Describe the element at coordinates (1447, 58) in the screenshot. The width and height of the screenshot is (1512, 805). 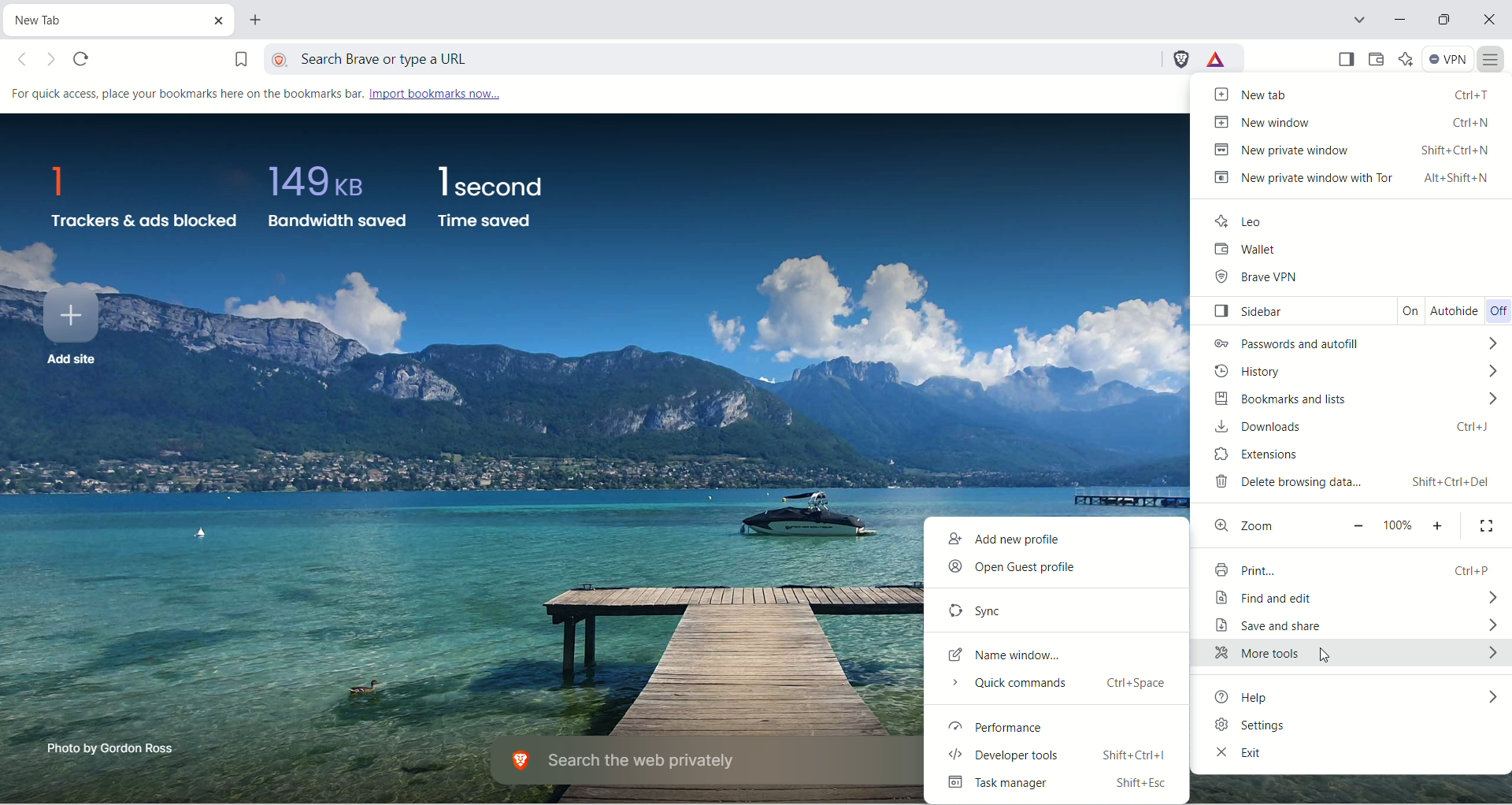
I see `VPN` at that location.